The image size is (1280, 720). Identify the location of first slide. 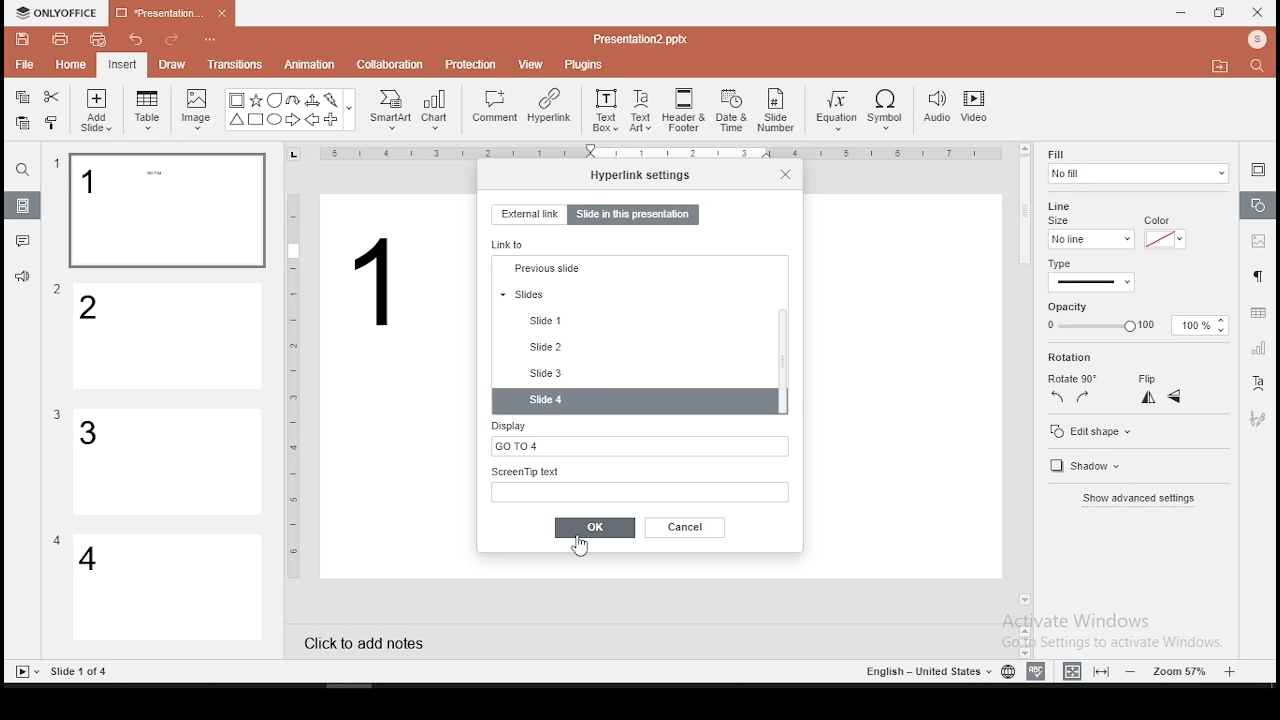
(632, 269).